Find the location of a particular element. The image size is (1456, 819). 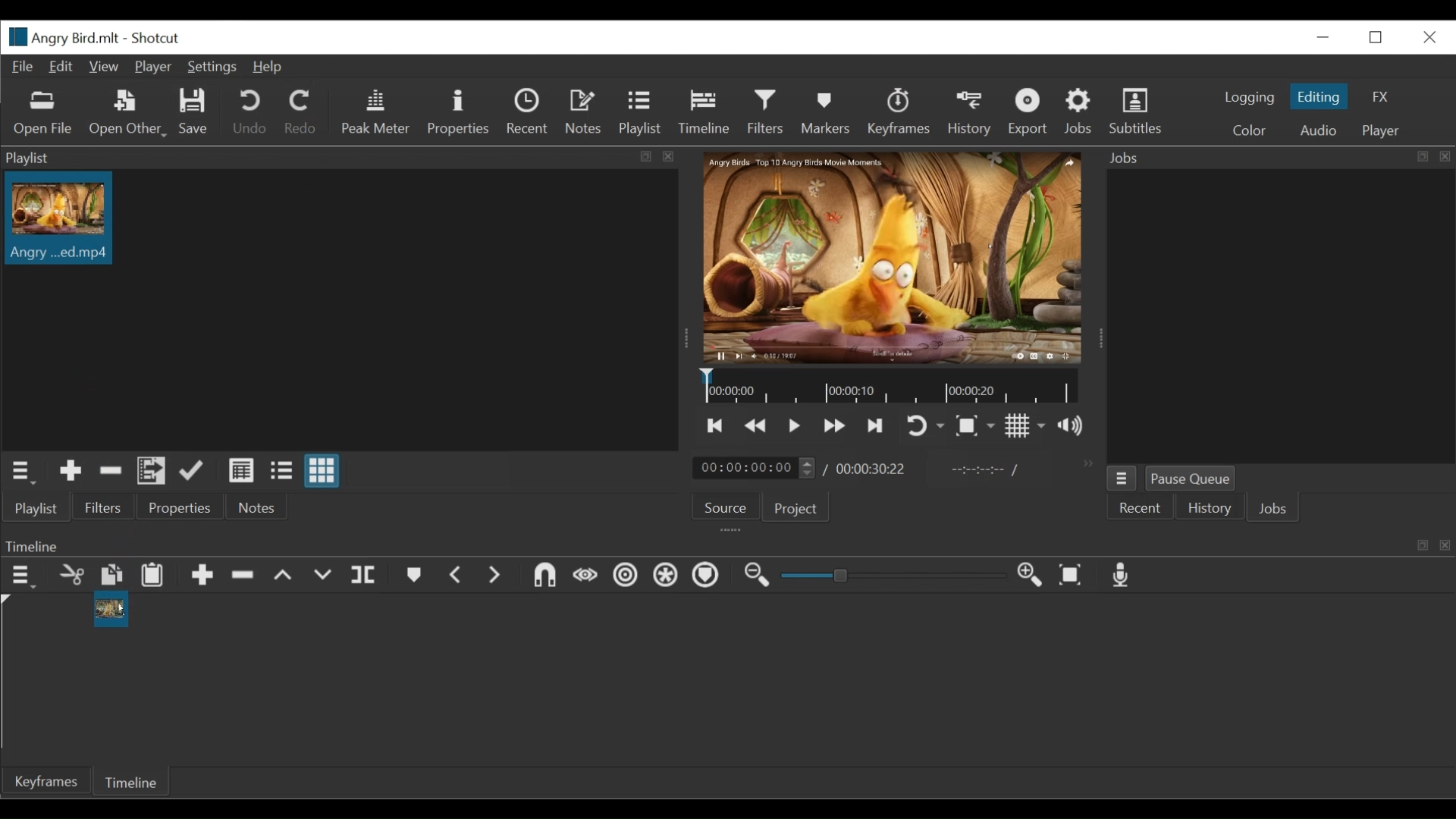

Playlist is located at coordinates (640, 114).